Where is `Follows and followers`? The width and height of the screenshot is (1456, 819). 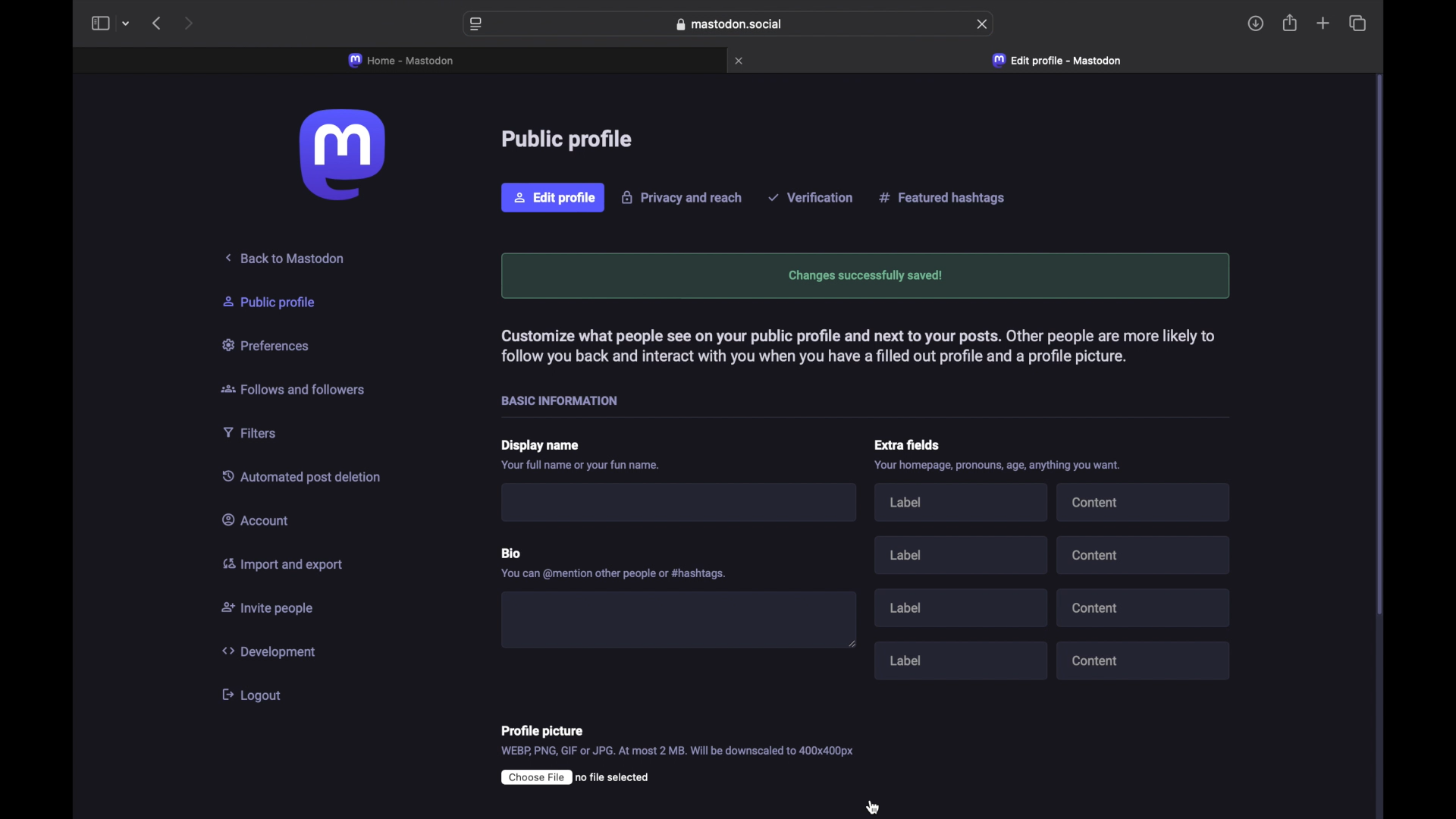 Follows and followers is located at coordinates (292, 391).